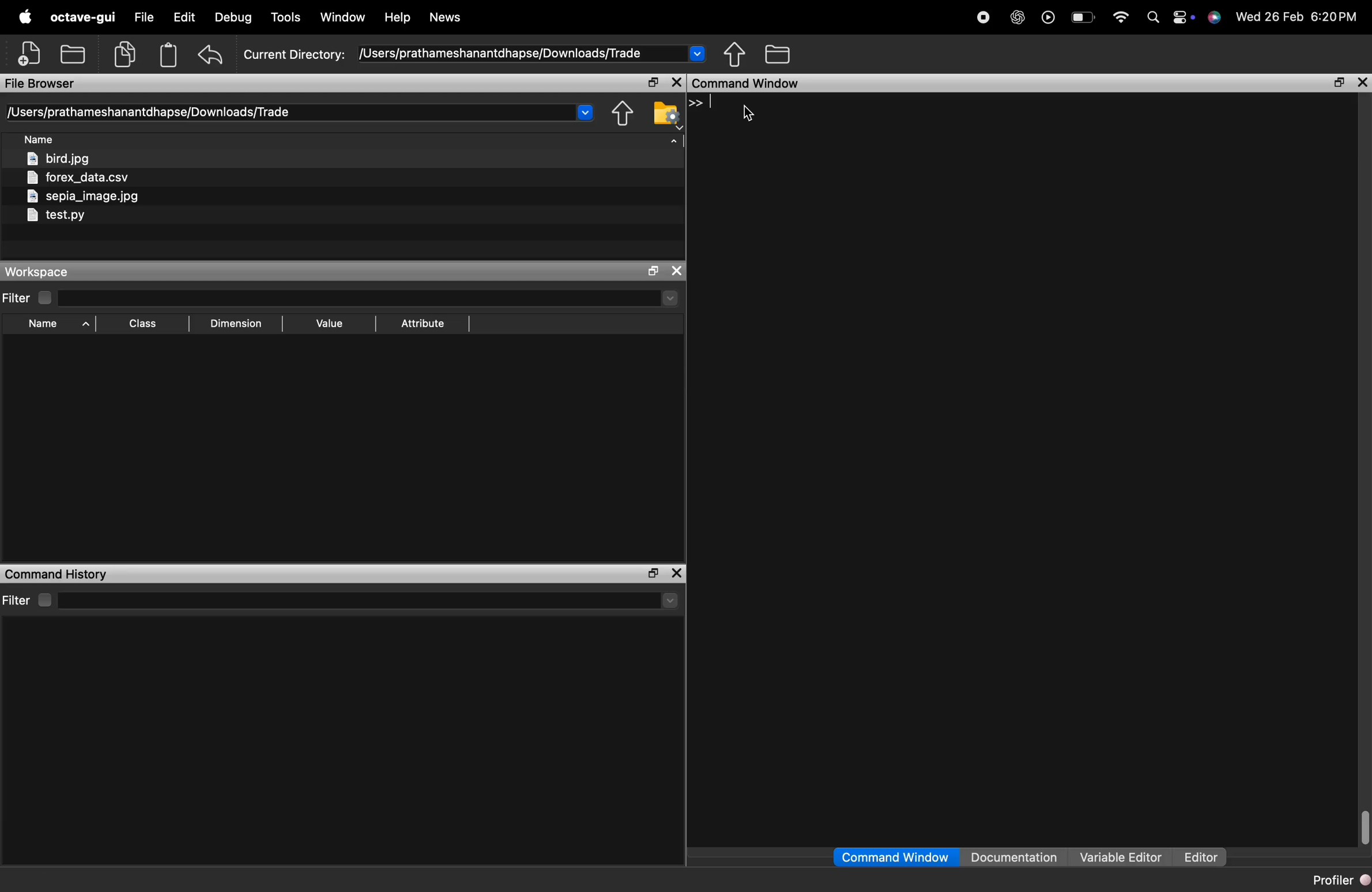 Image resolution: width=1372 pixels, height=892 pixels. What do you see at coordinates (169, 55) in the screenshot?
I see `clipboard` at bounding box center [169, 55].